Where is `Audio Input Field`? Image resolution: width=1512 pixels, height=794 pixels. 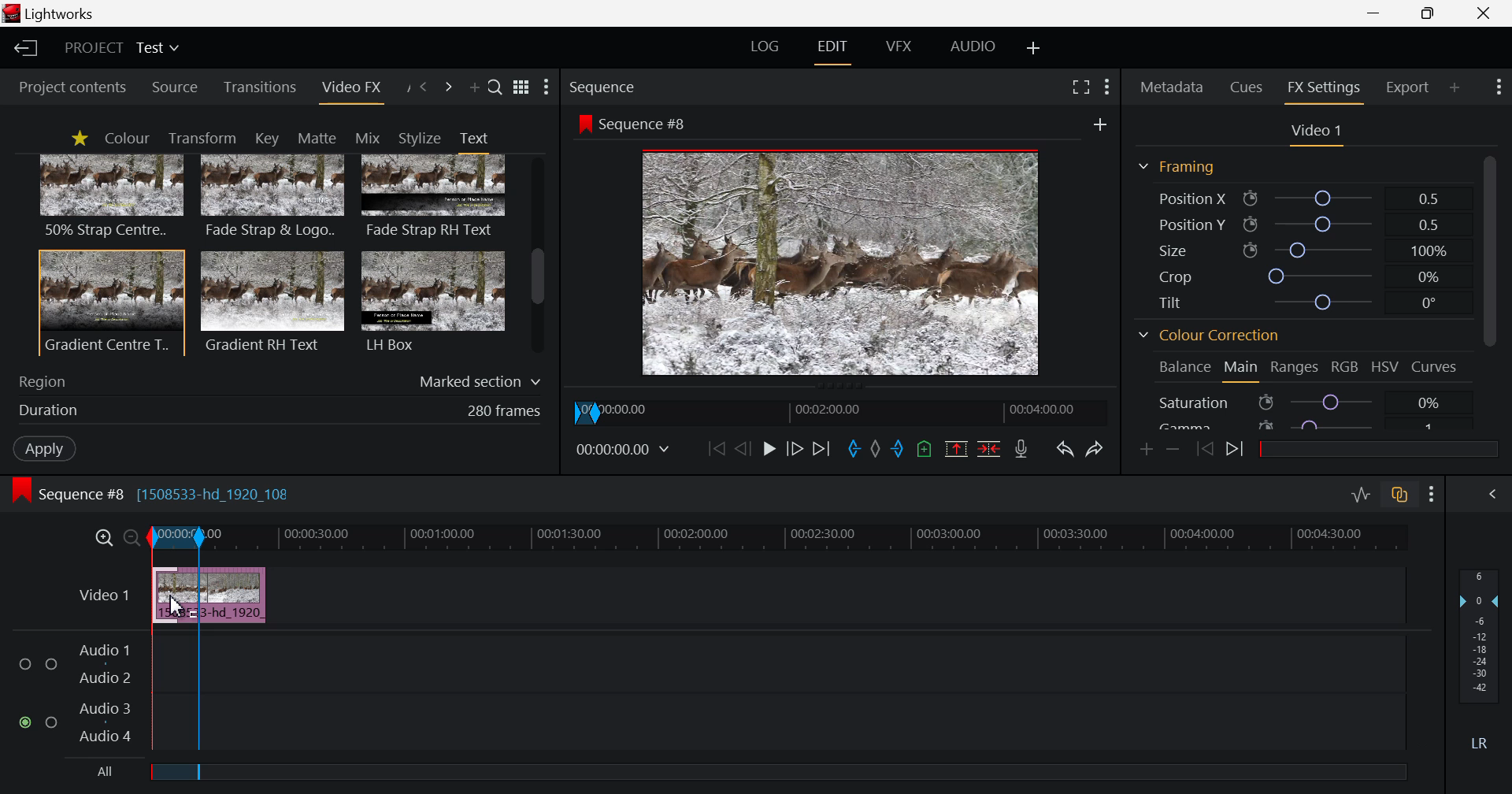 Audio Input Field is located at coordinates (780, 690).